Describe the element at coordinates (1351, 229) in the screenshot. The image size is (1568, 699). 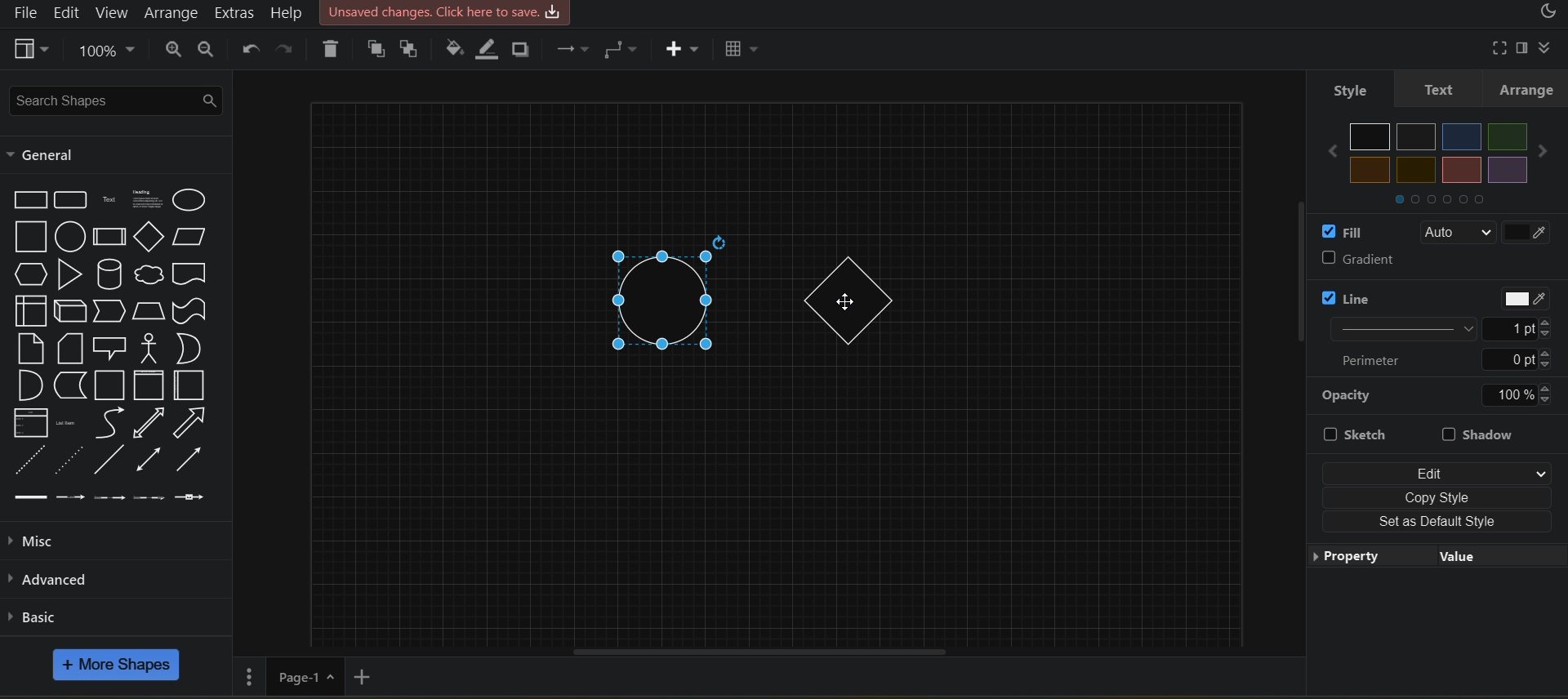
I see `fill ` at that location.